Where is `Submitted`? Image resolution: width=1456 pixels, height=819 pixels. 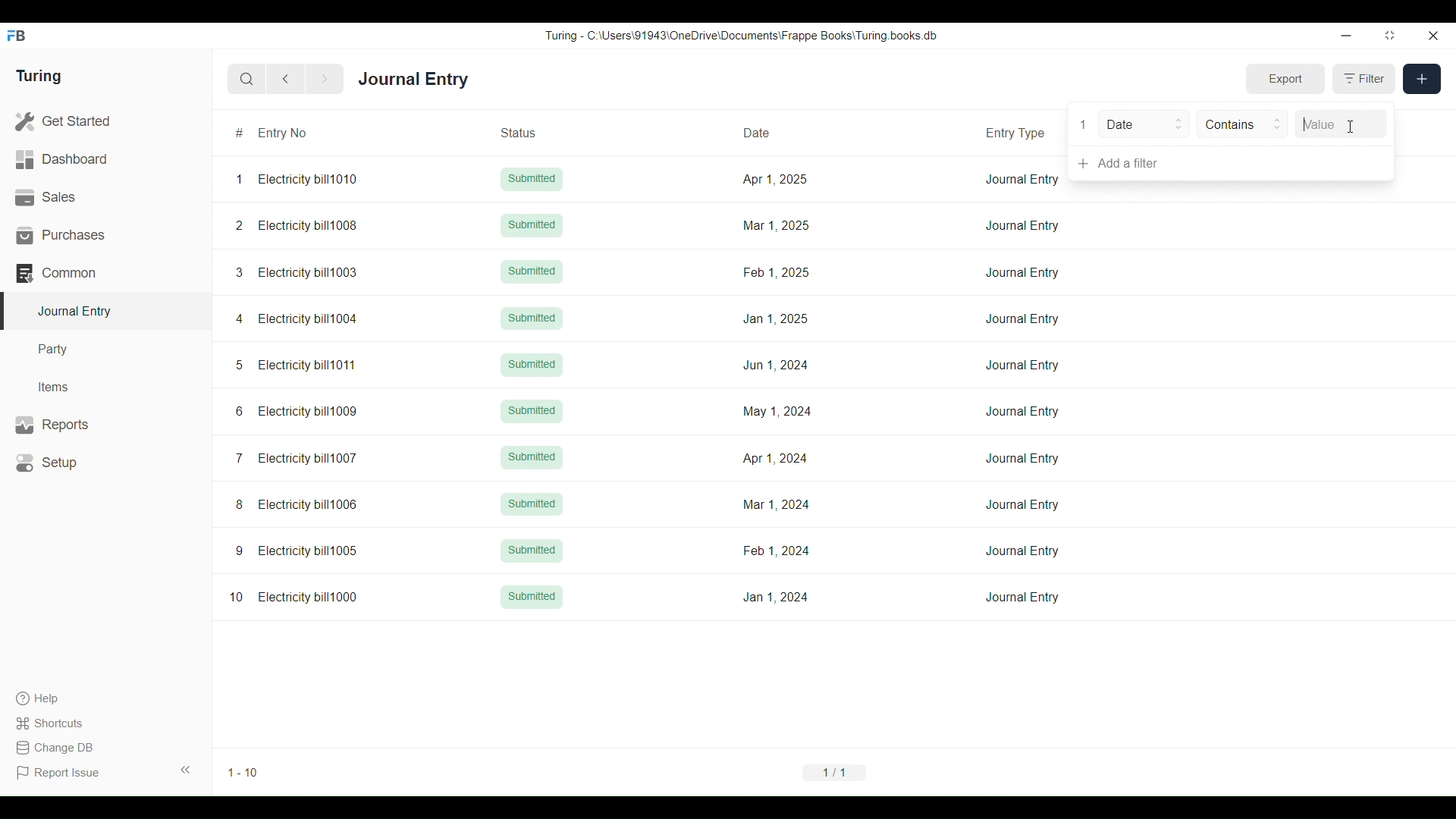
Submitted is located at coordinates (532, 179).